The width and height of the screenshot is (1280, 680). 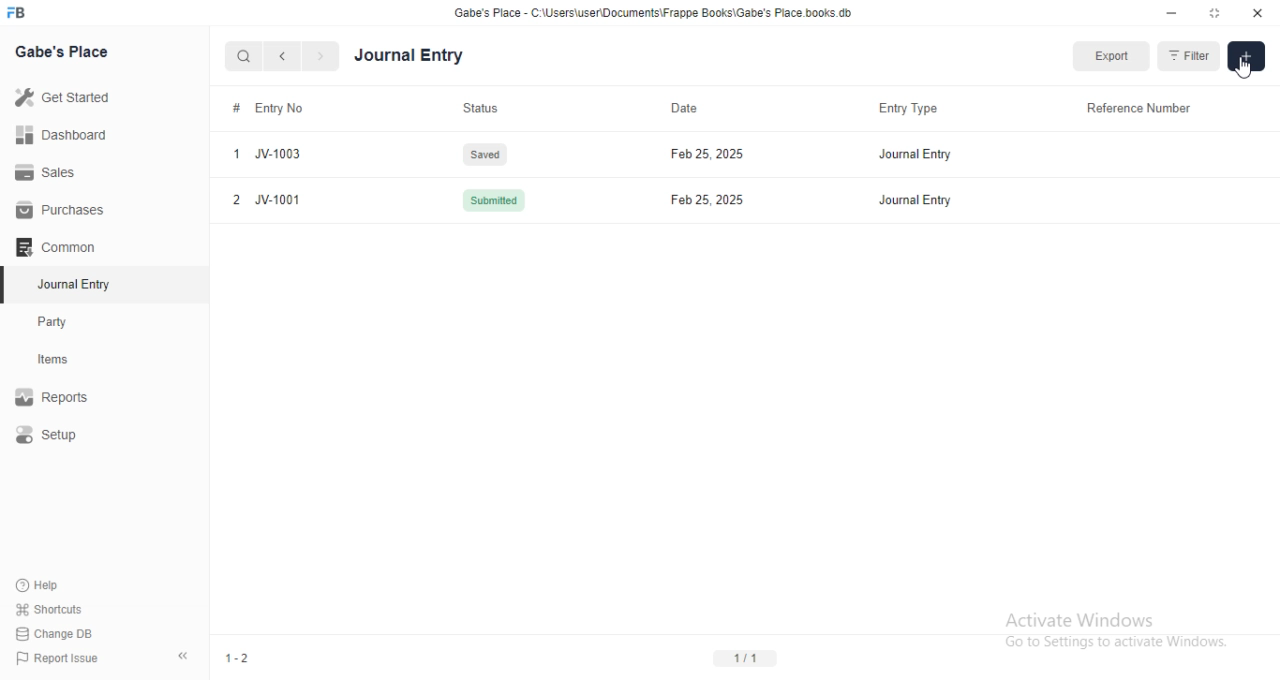 I want to click on Minimize, so click(x=1172, y=13).